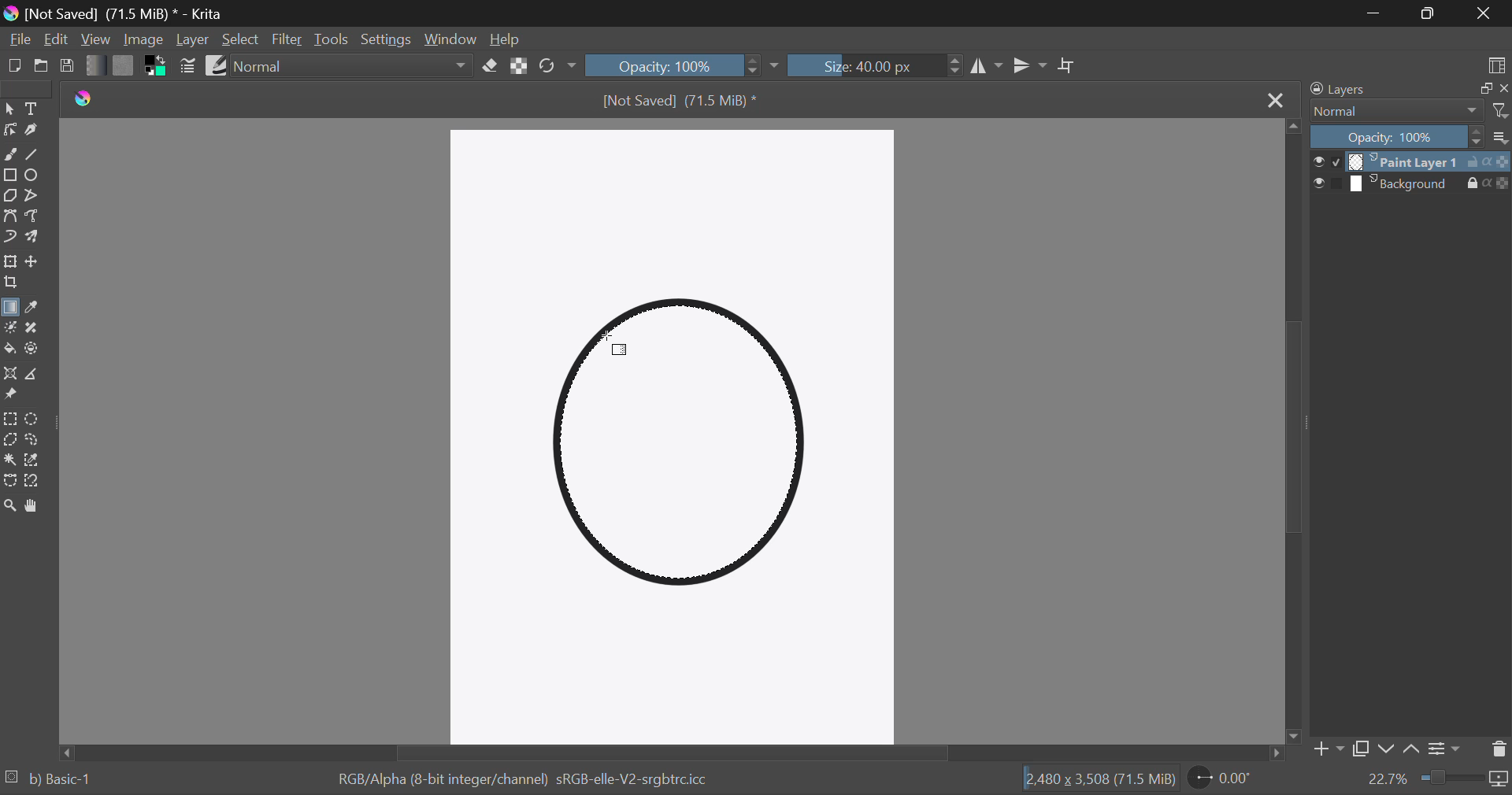 Image resolution: width=1512 pixels, height=795 pixels. Describe the element at coordinates (11, 177) in the screenshot. I see `Rectangle` at that location.